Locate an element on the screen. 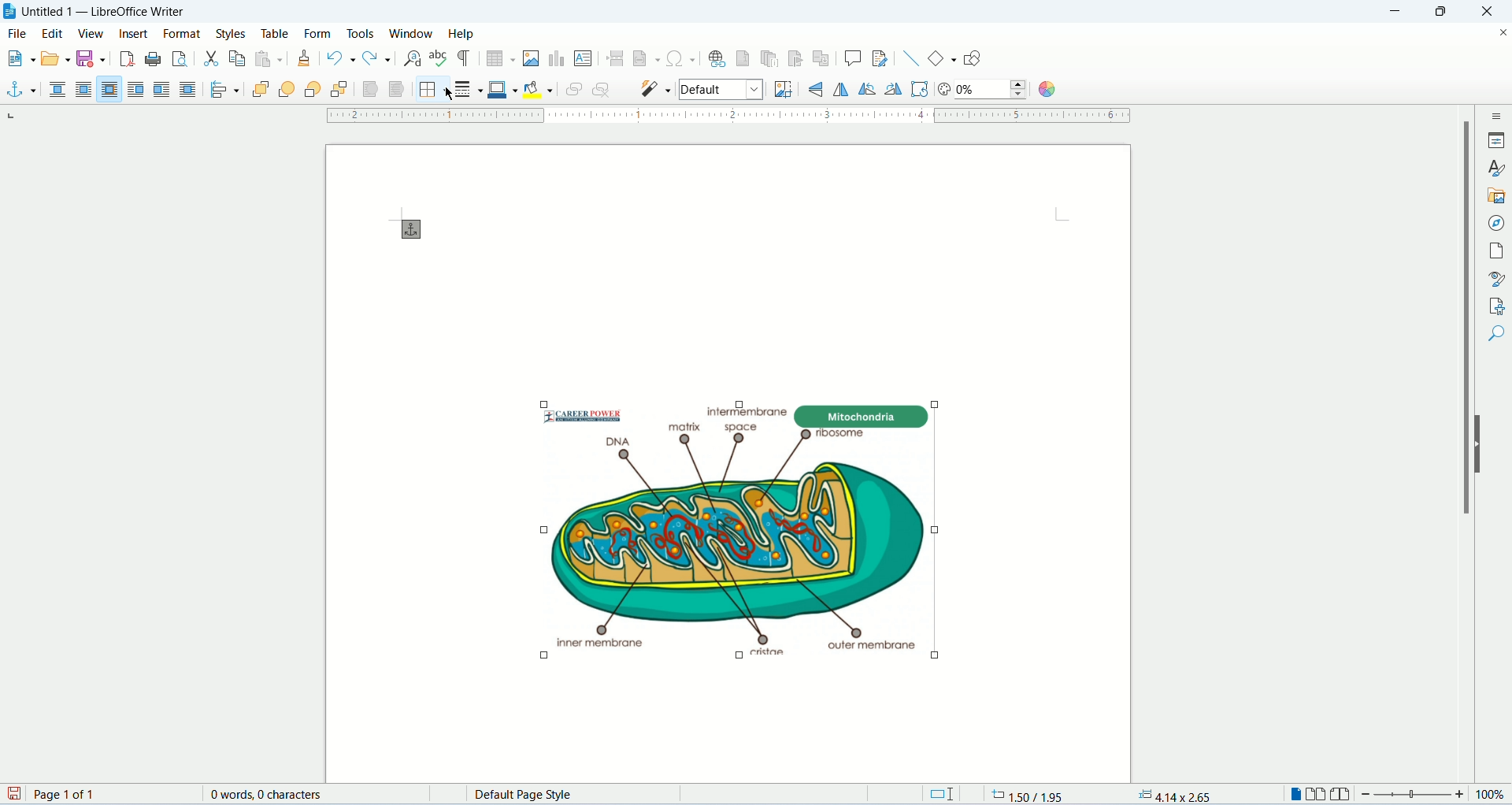  basic shapes is located at coordinates (943, 58).